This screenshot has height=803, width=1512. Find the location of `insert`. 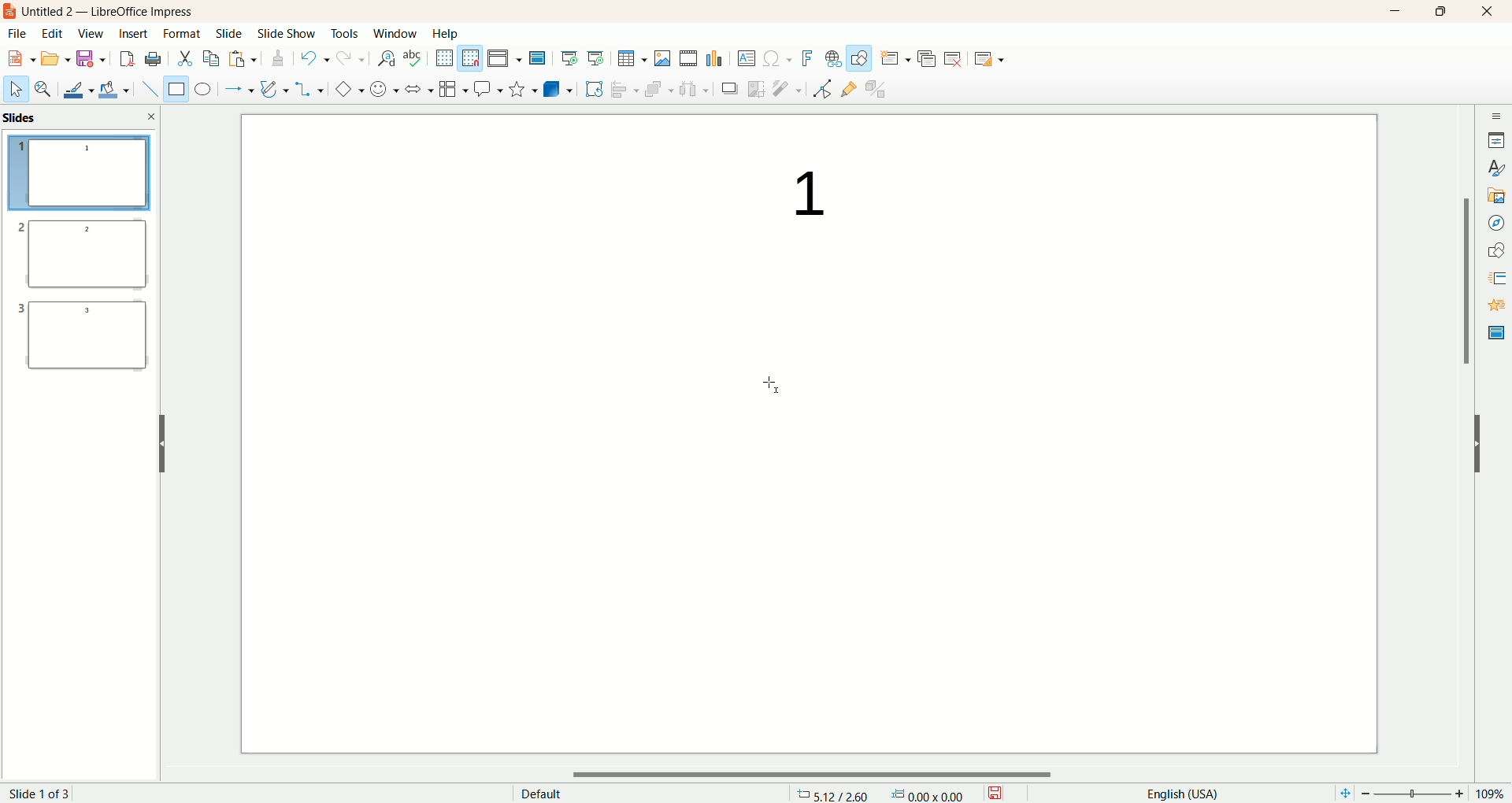

insert is located at coordinates (132, 34).